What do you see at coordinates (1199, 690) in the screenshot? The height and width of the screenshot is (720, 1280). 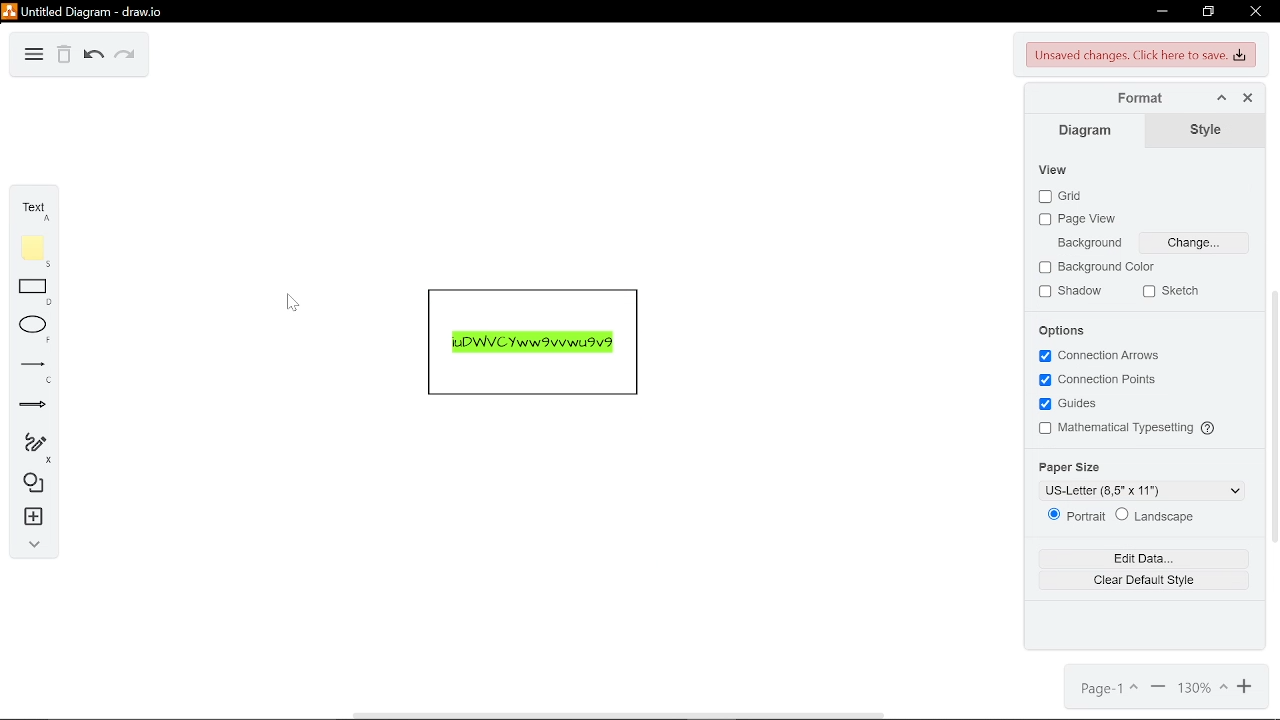 I see `130%` at bounding box center [1199, 690].